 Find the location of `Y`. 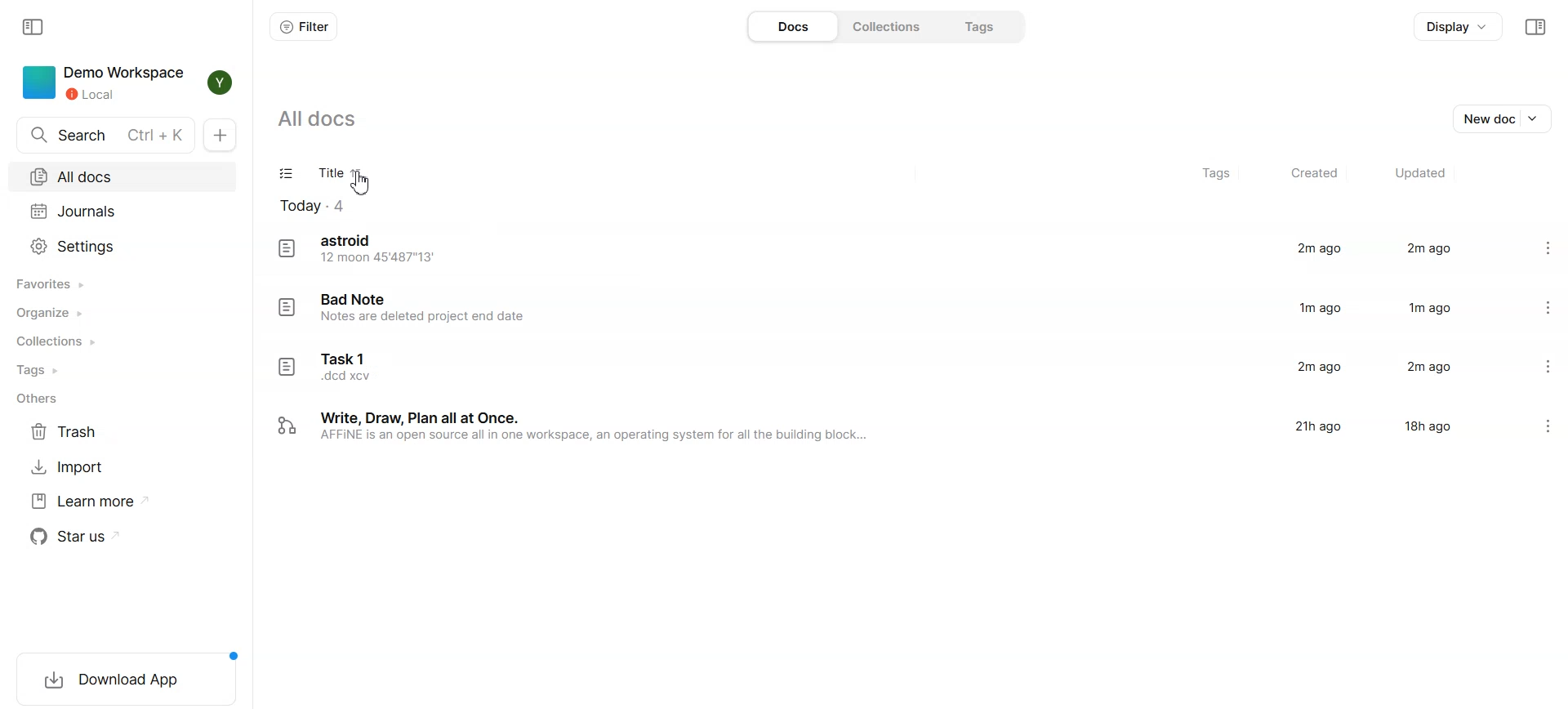

Y is located at coordinates (220, 82).